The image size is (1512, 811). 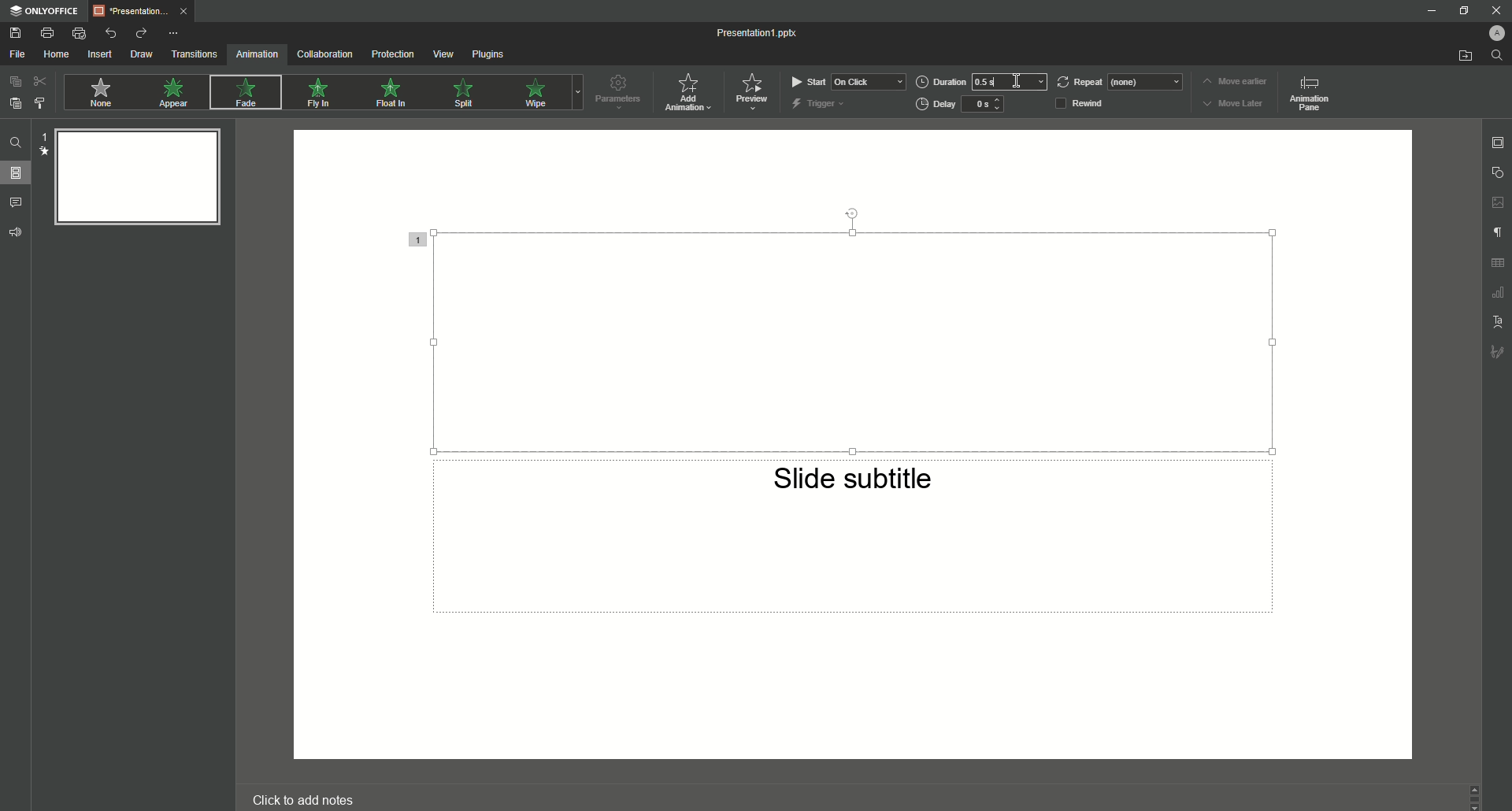 I want to click on Choose Style, so click(x=40, y=103).